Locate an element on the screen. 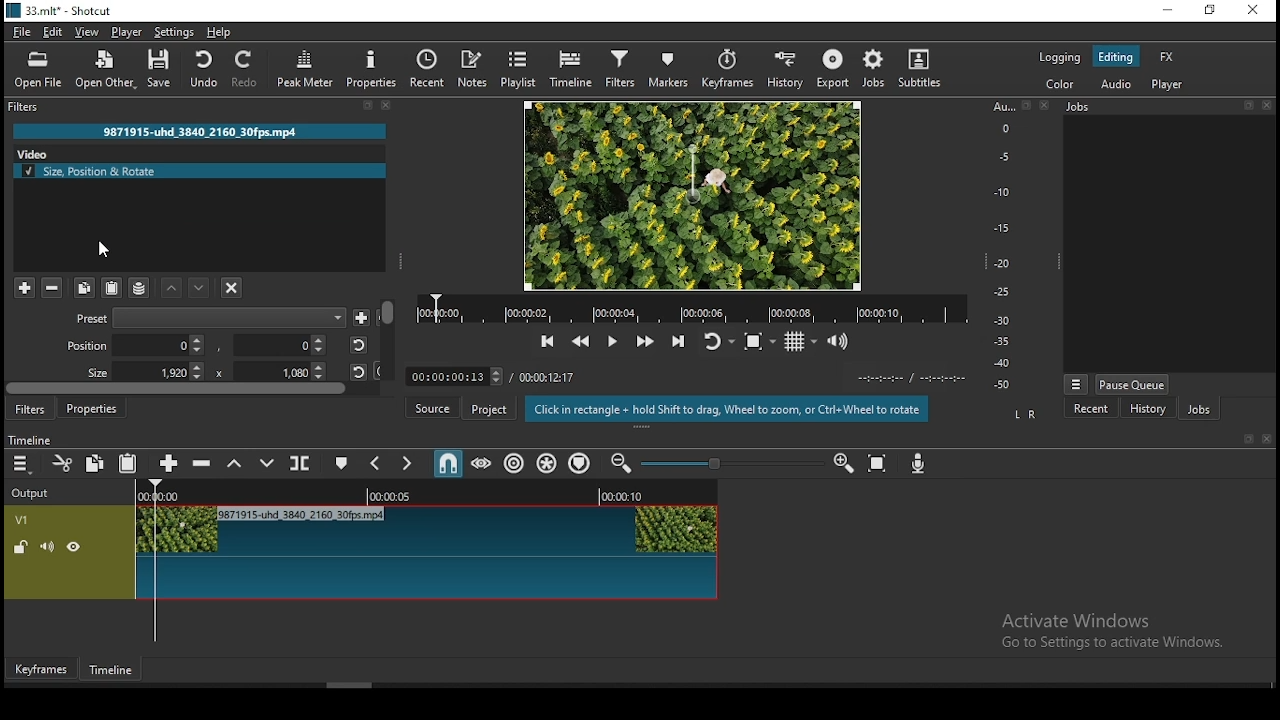  toggle grid display on player is located at coordinates (801, 343).